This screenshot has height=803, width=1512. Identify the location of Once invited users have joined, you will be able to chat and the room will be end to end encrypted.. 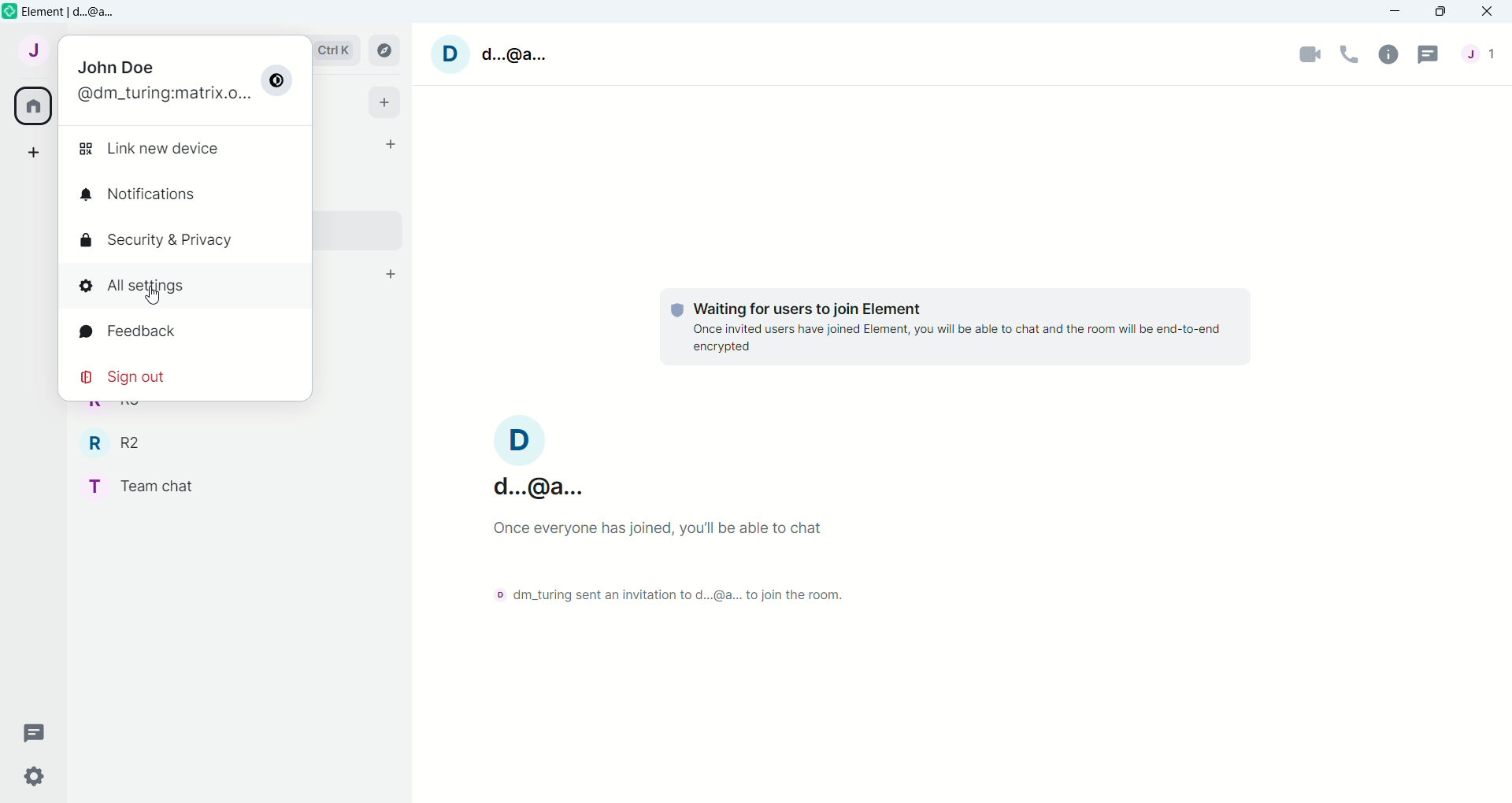
(961, 340).